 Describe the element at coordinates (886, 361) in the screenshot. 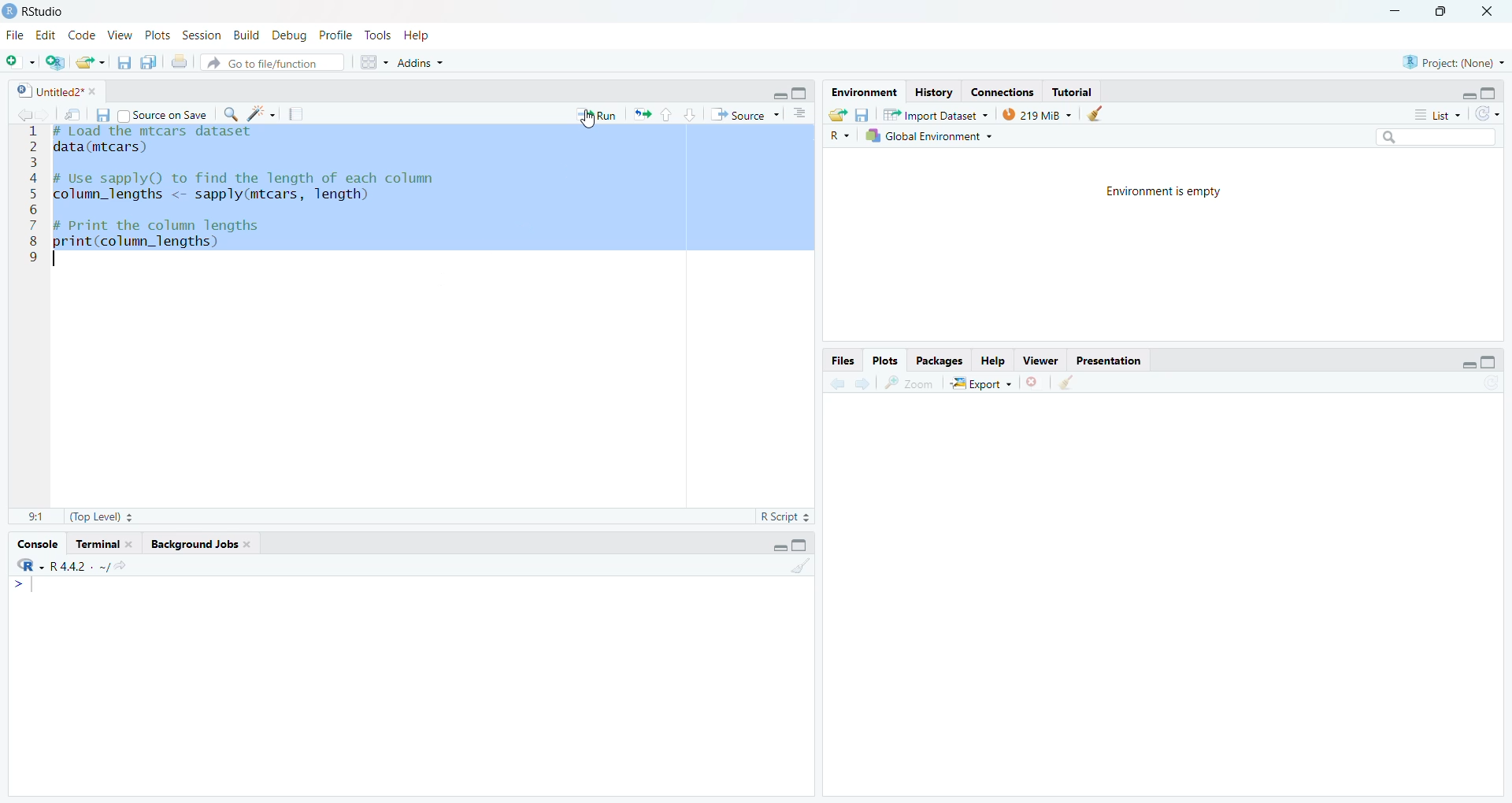

I see `Plots` at that location.